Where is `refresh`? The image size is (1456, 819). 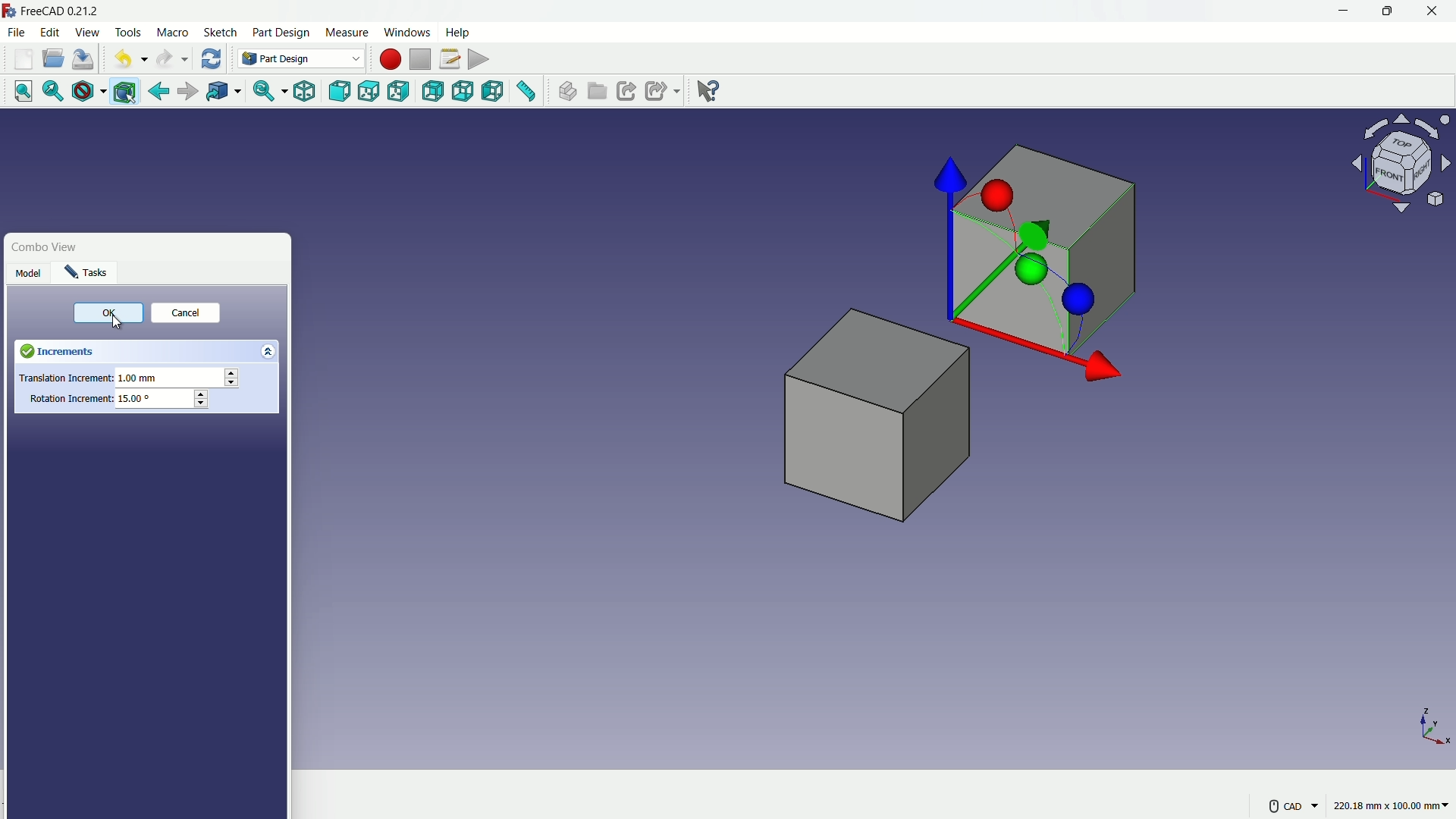
refresh is located at coordinates (211, 58).